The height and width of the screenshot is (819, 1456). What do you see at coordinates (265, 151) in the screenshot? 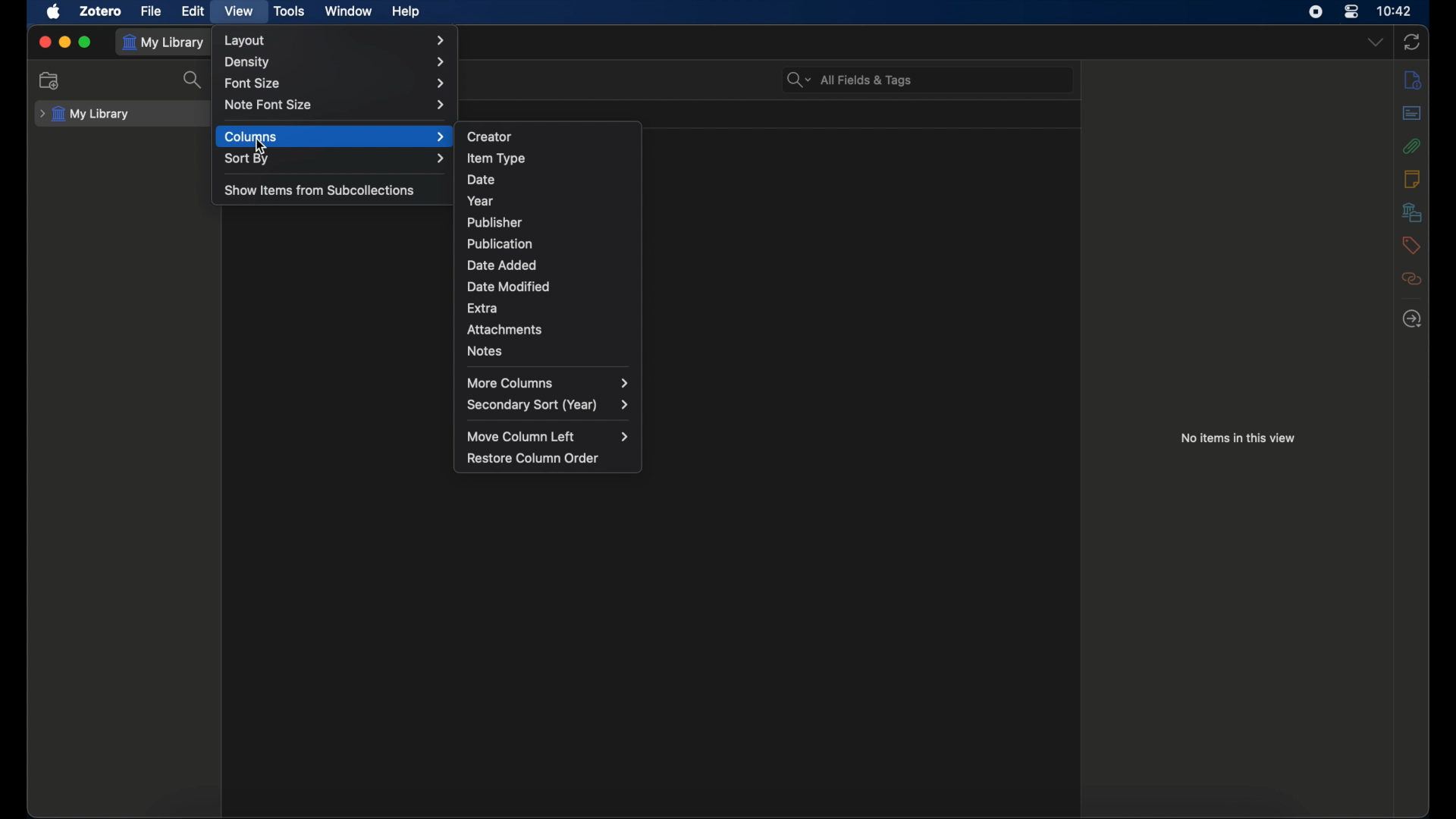
I see `Cursor` at bounding box center [265, 151].